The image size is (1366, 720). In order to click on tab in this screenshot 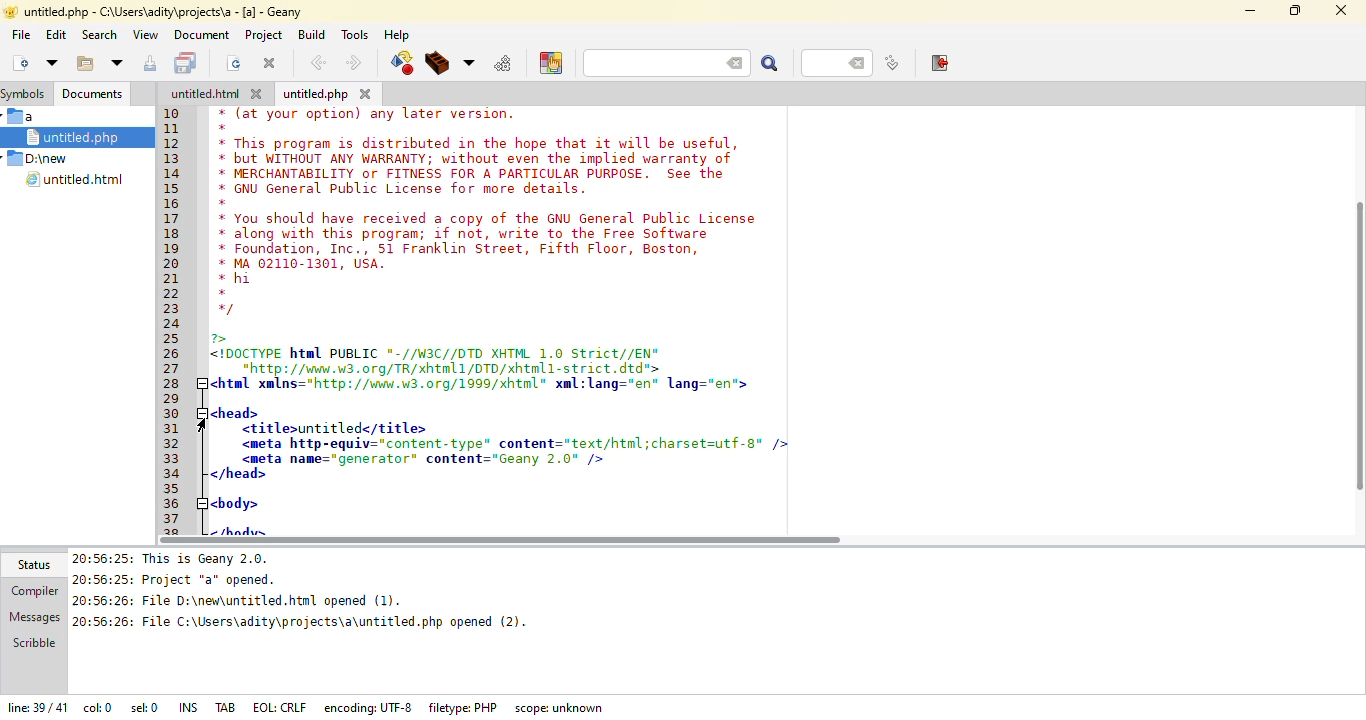, I will do `click(227, 706)`.